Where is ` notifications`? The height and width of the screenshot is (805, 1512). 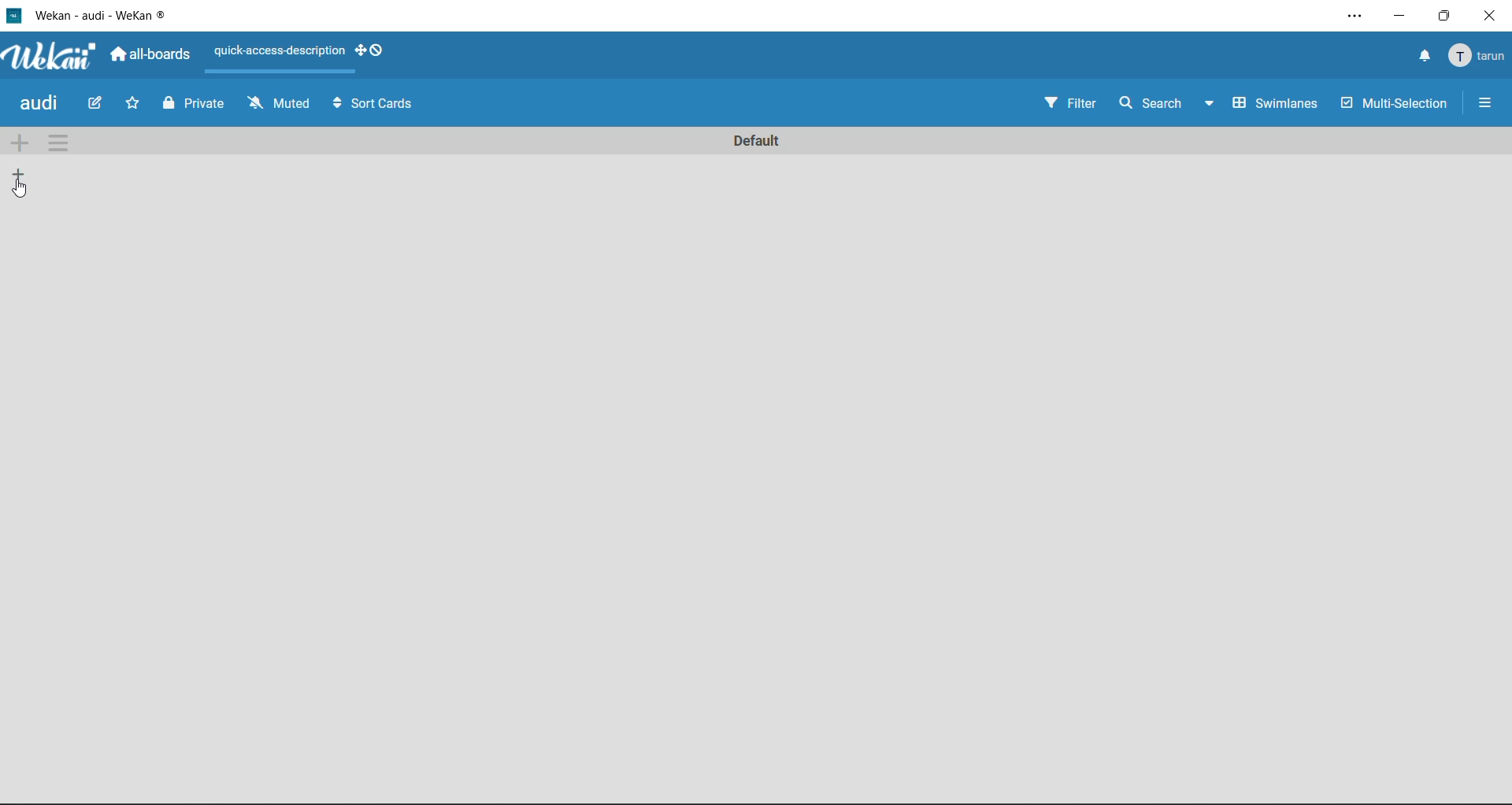  notifications is located at coordinates (1421, 57).